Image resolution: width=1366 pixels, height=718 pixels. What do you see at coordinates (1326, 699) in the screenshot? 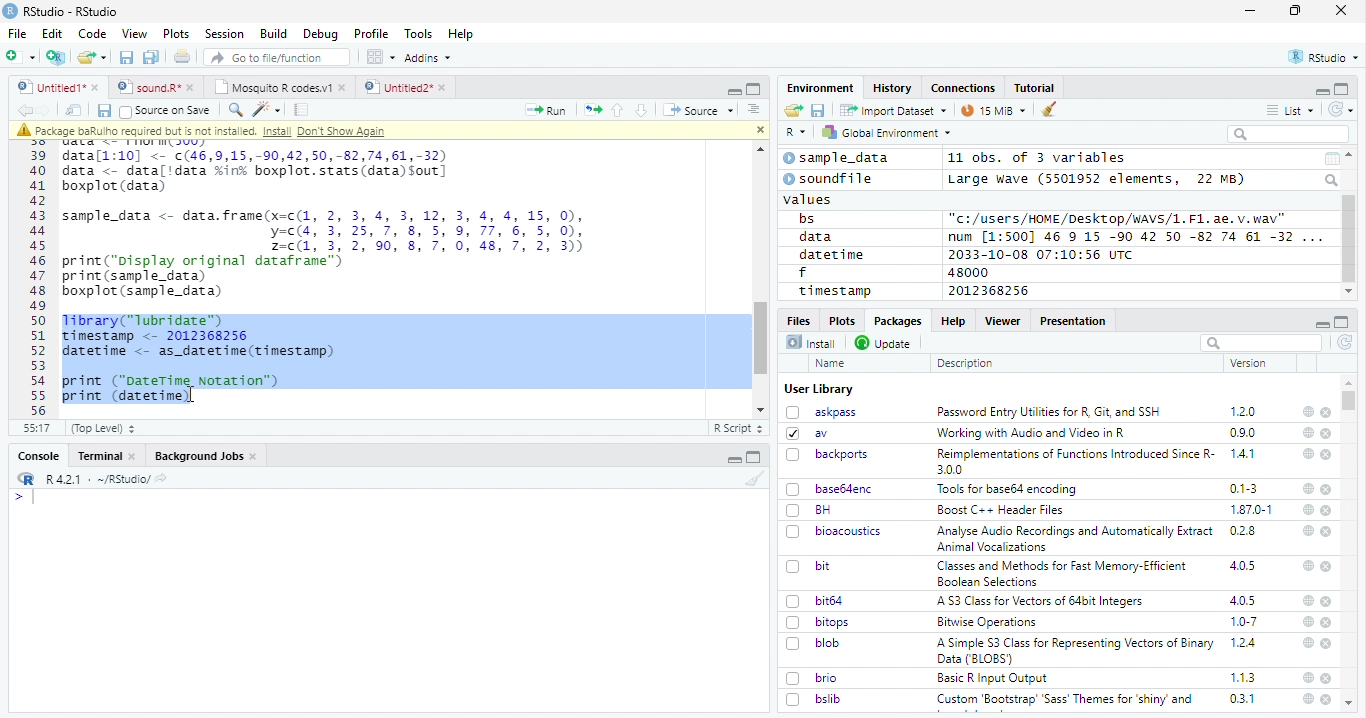
I see `close` at bounding box center [1326, 699].